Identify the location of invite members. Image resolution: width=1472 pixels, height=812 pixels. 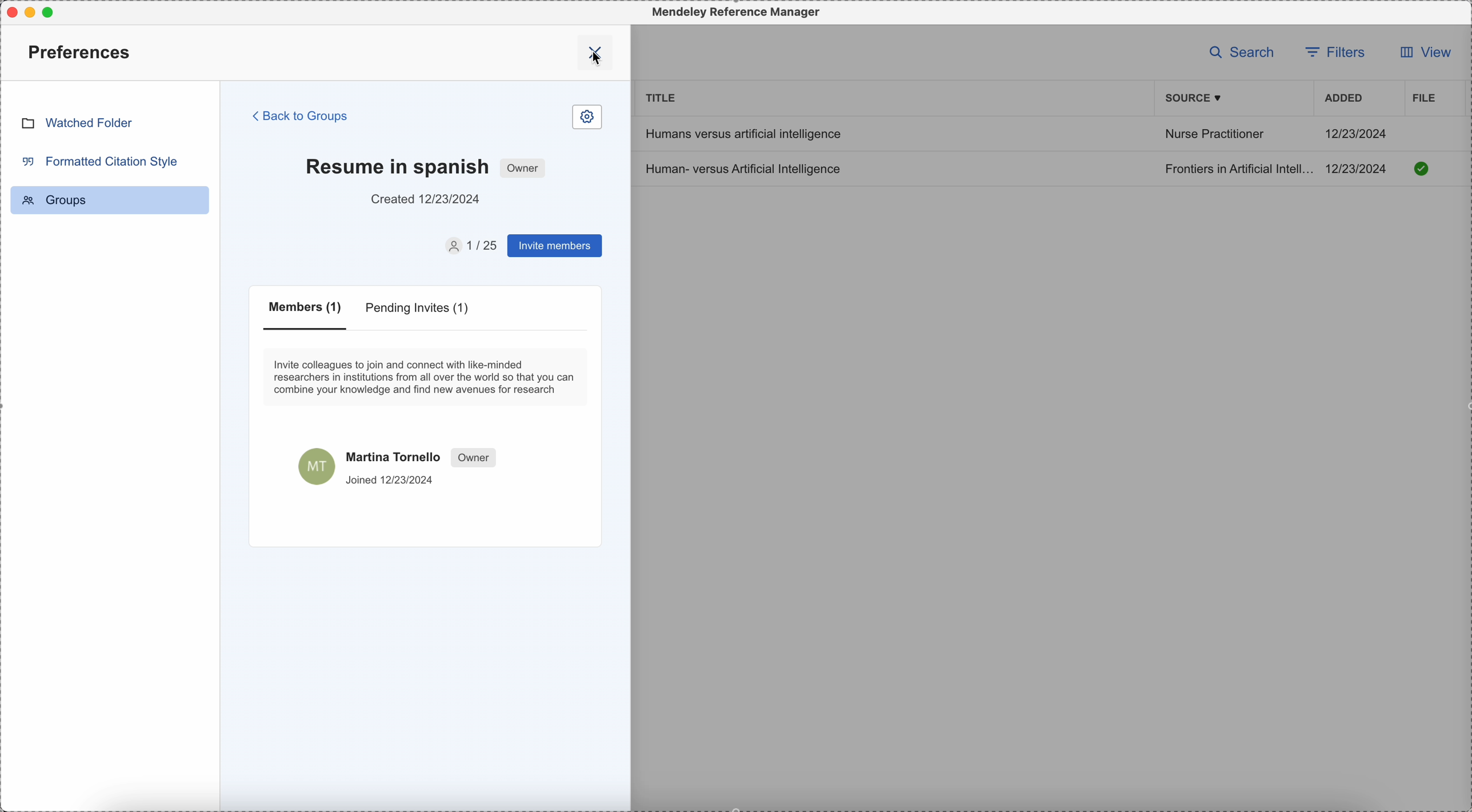
(554, 247).